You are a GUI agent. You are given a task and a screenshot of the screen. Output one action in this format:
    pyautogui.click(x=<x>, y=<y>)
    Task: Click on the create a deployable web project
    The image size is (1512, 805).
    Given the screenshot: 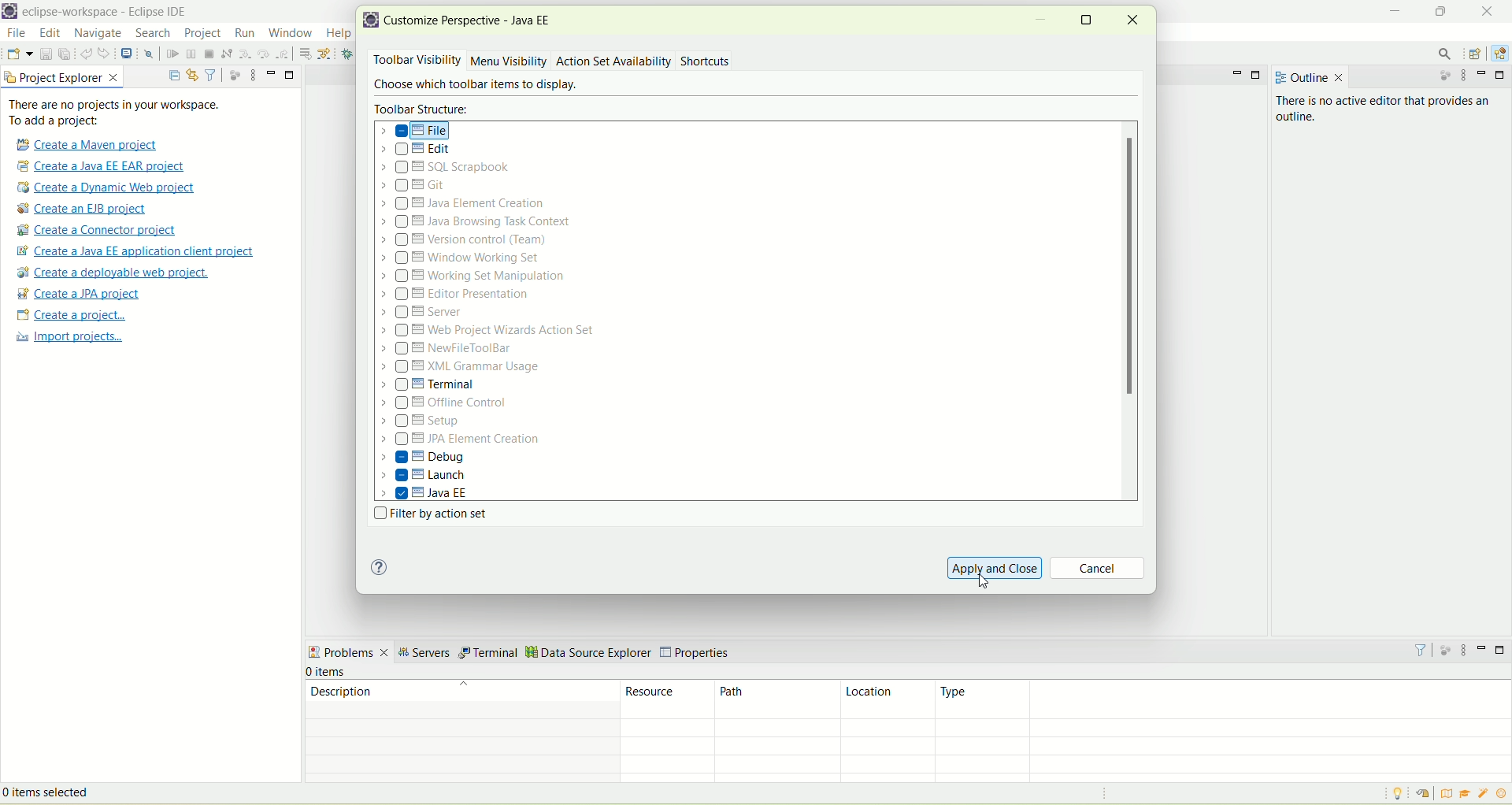 What is the action you would take?
    pyautogui.click(x=111, y=273)
    